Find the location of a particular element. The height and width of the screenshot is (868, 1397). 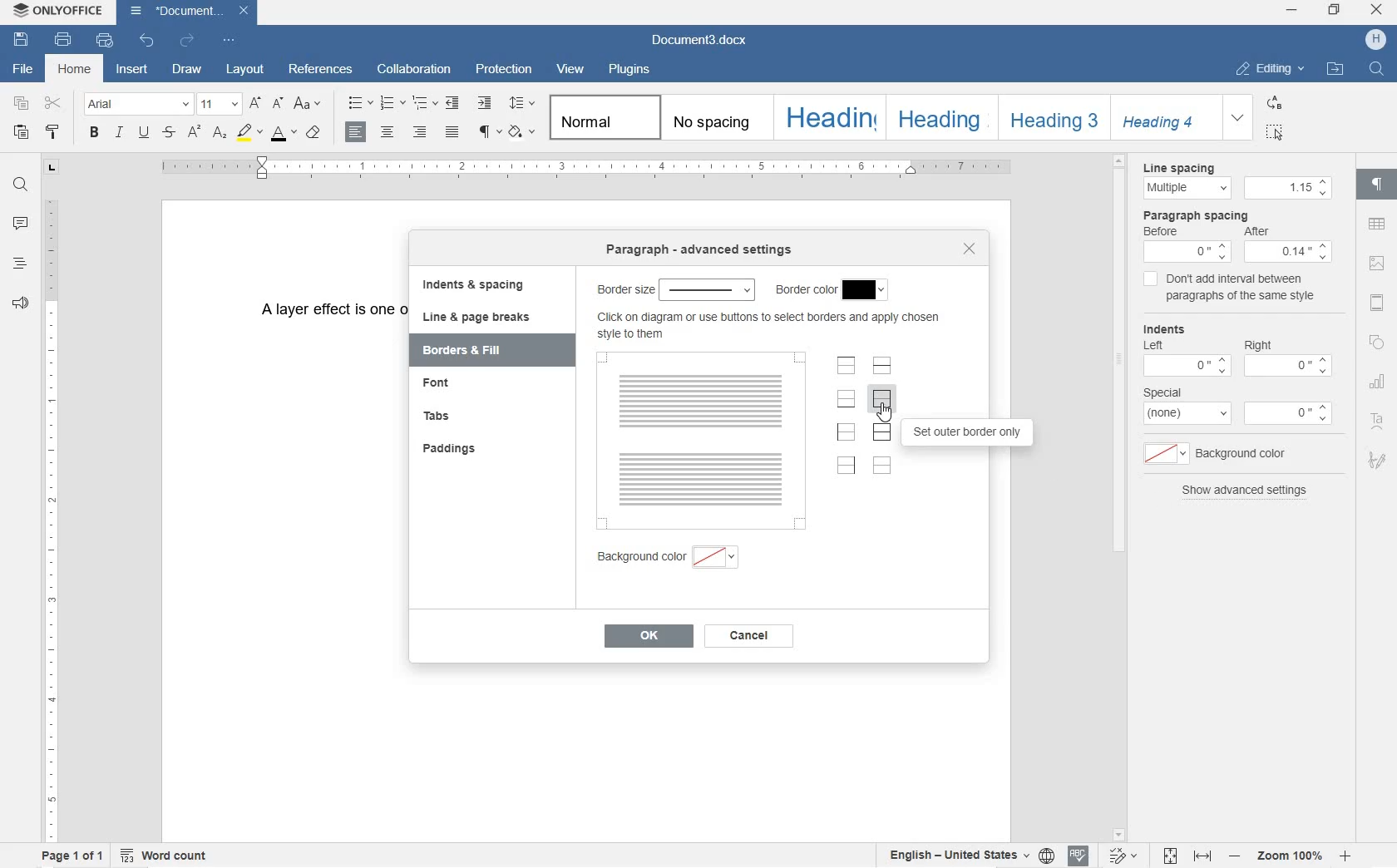

set outer and inner borders is located at coordinates (883, 433).